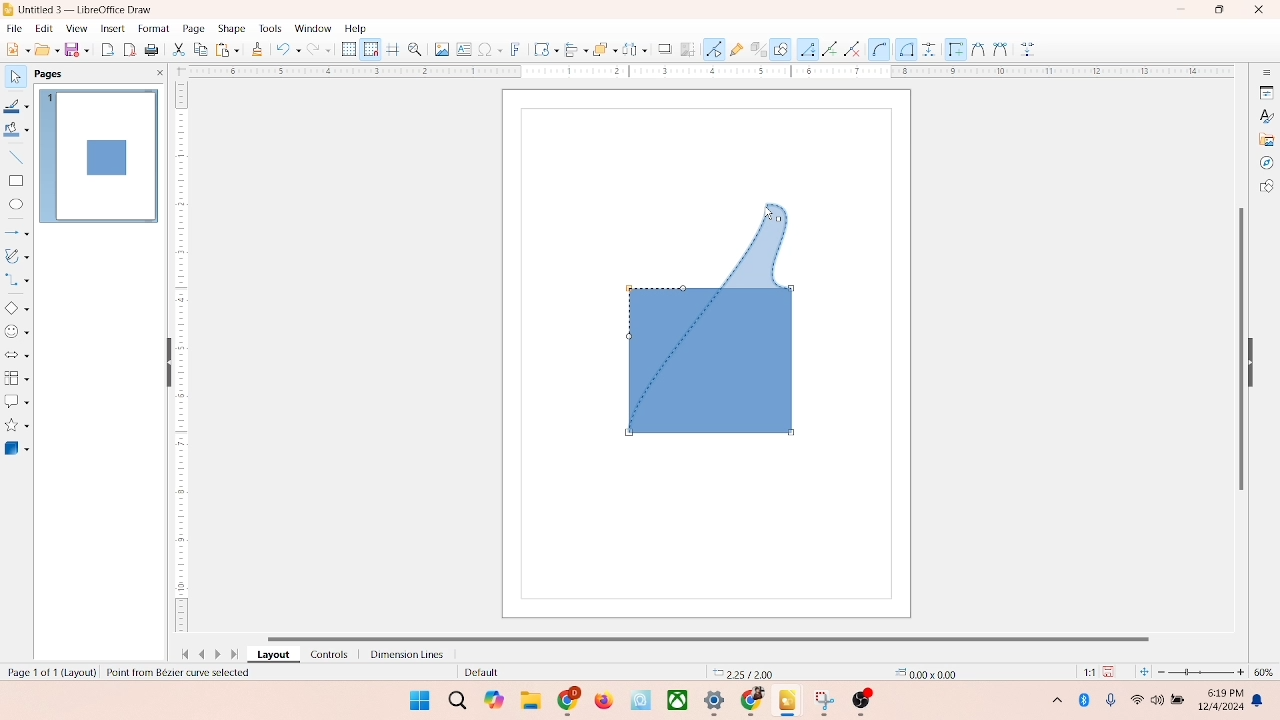 This screenshot has width=1280, height=720. Describe the element at coordinates (45, 49) in the screenshot. I see `open` at that location.